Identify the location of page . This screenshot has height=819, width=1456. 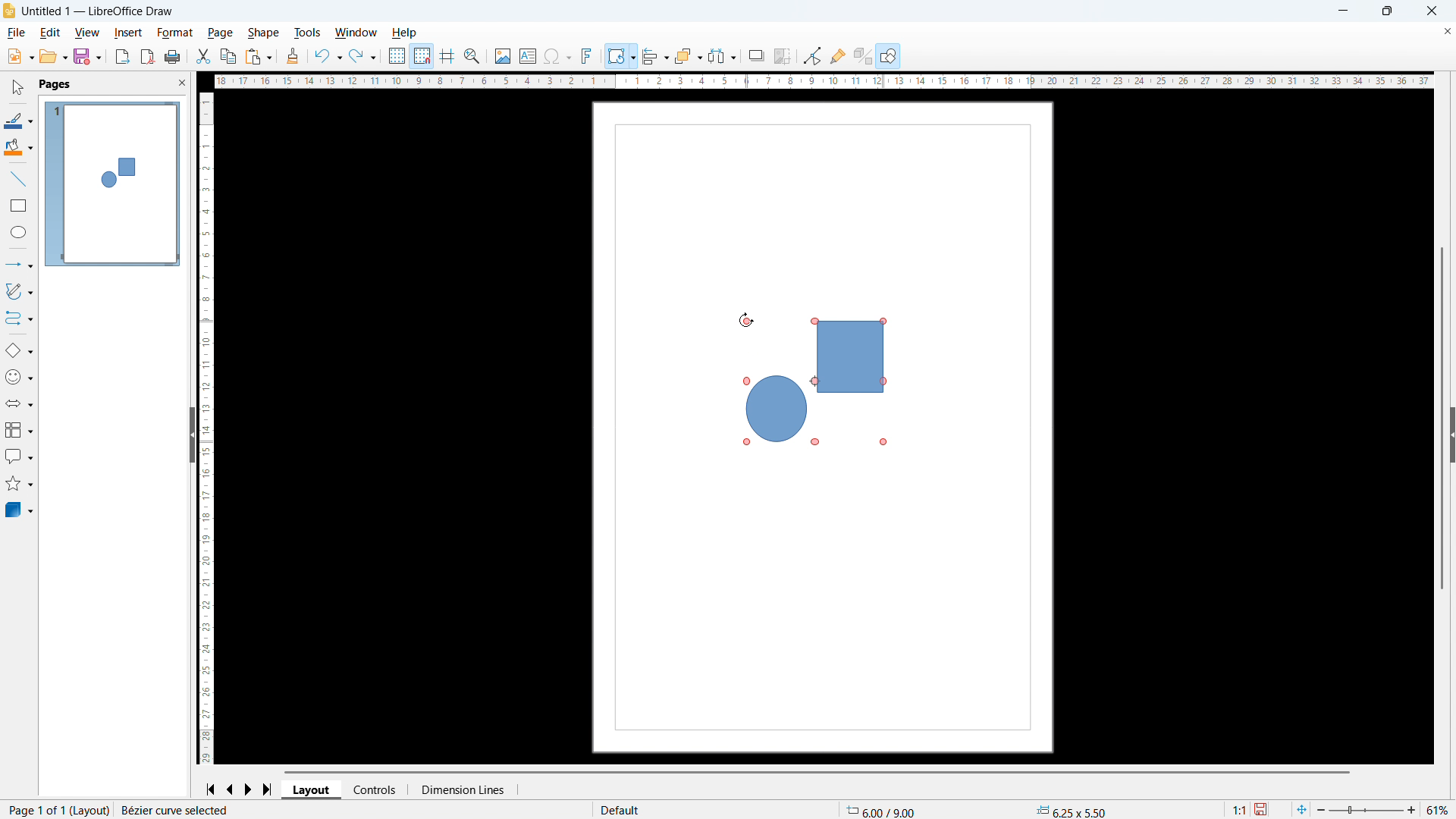
(220, 33).